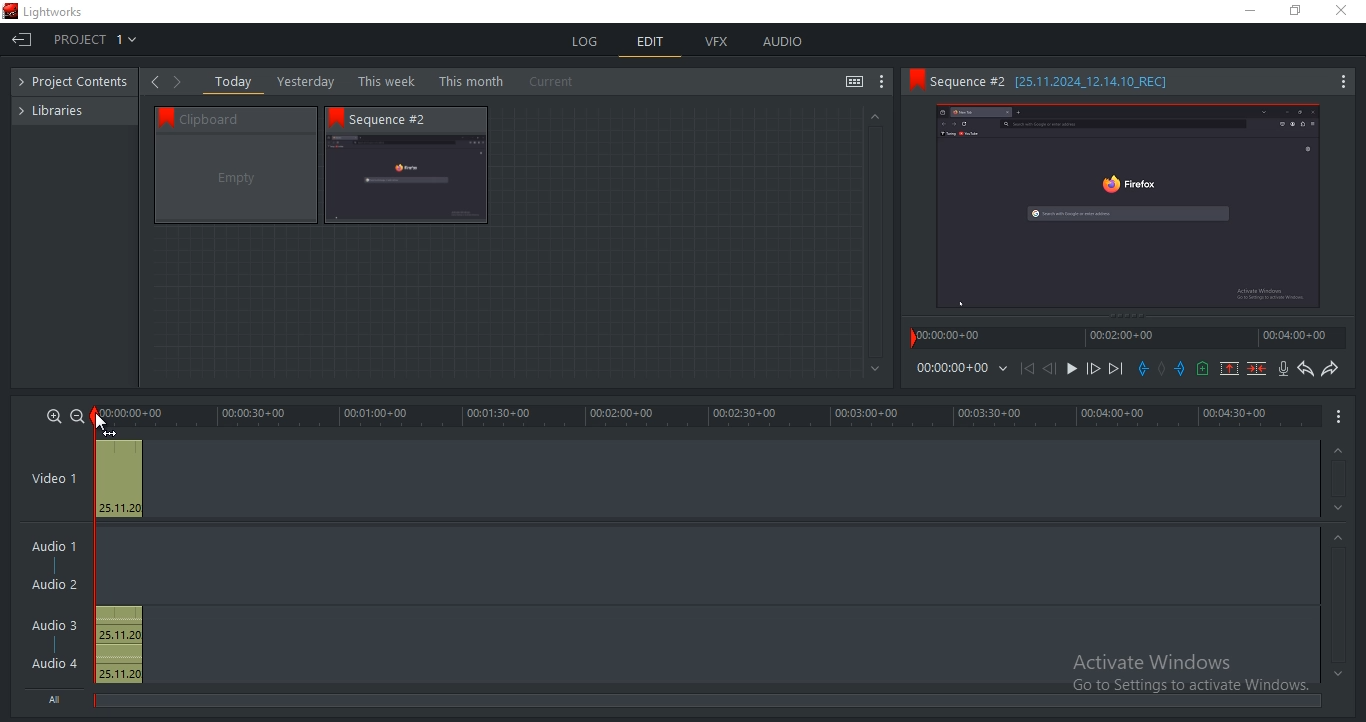 The image size is (1366, 722). I want to click on redo, so click(1329, 368).